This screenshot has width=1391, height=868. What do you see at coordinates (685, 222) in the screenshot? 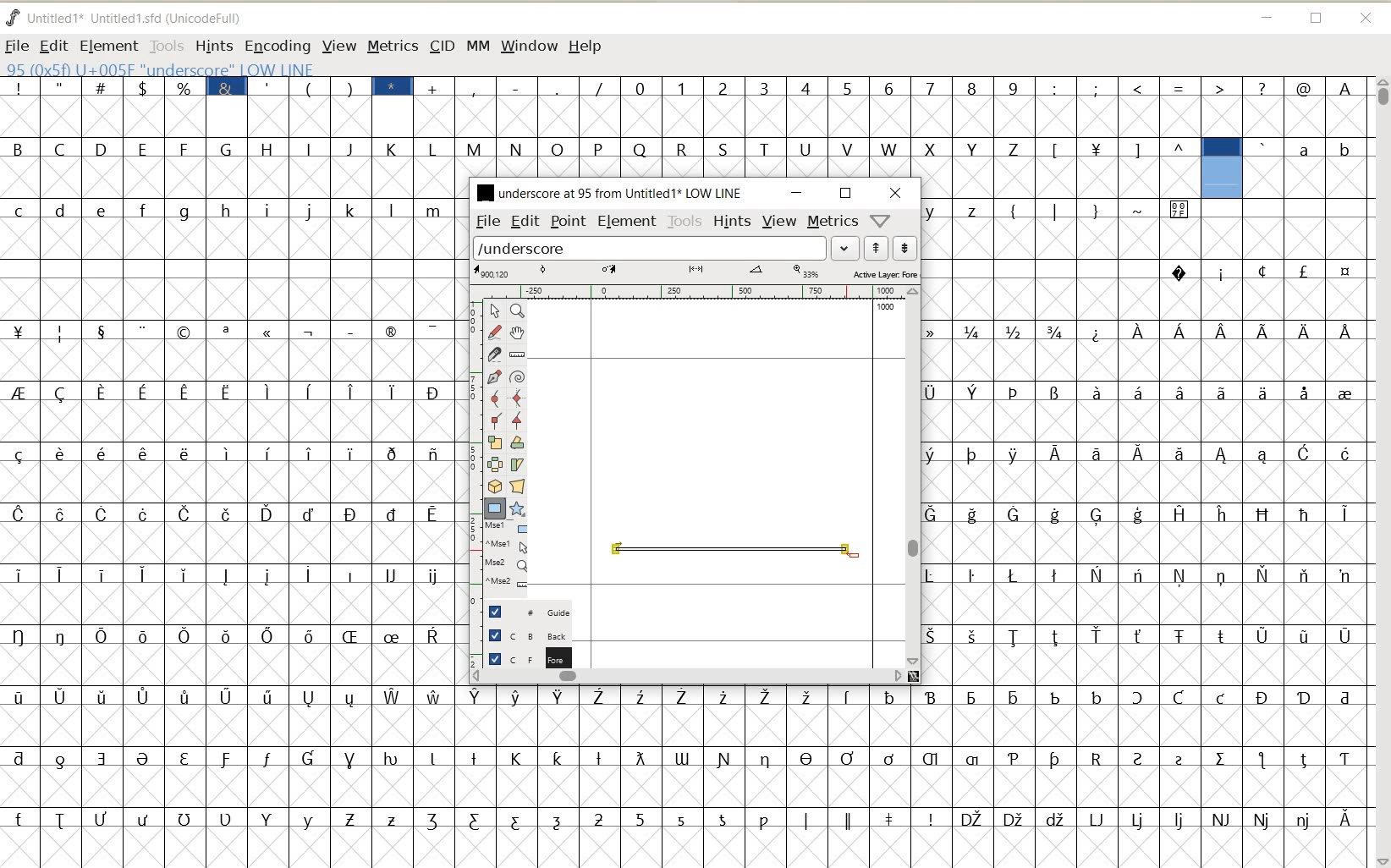
I see `TOOLS` at bounding box center [685, 222].